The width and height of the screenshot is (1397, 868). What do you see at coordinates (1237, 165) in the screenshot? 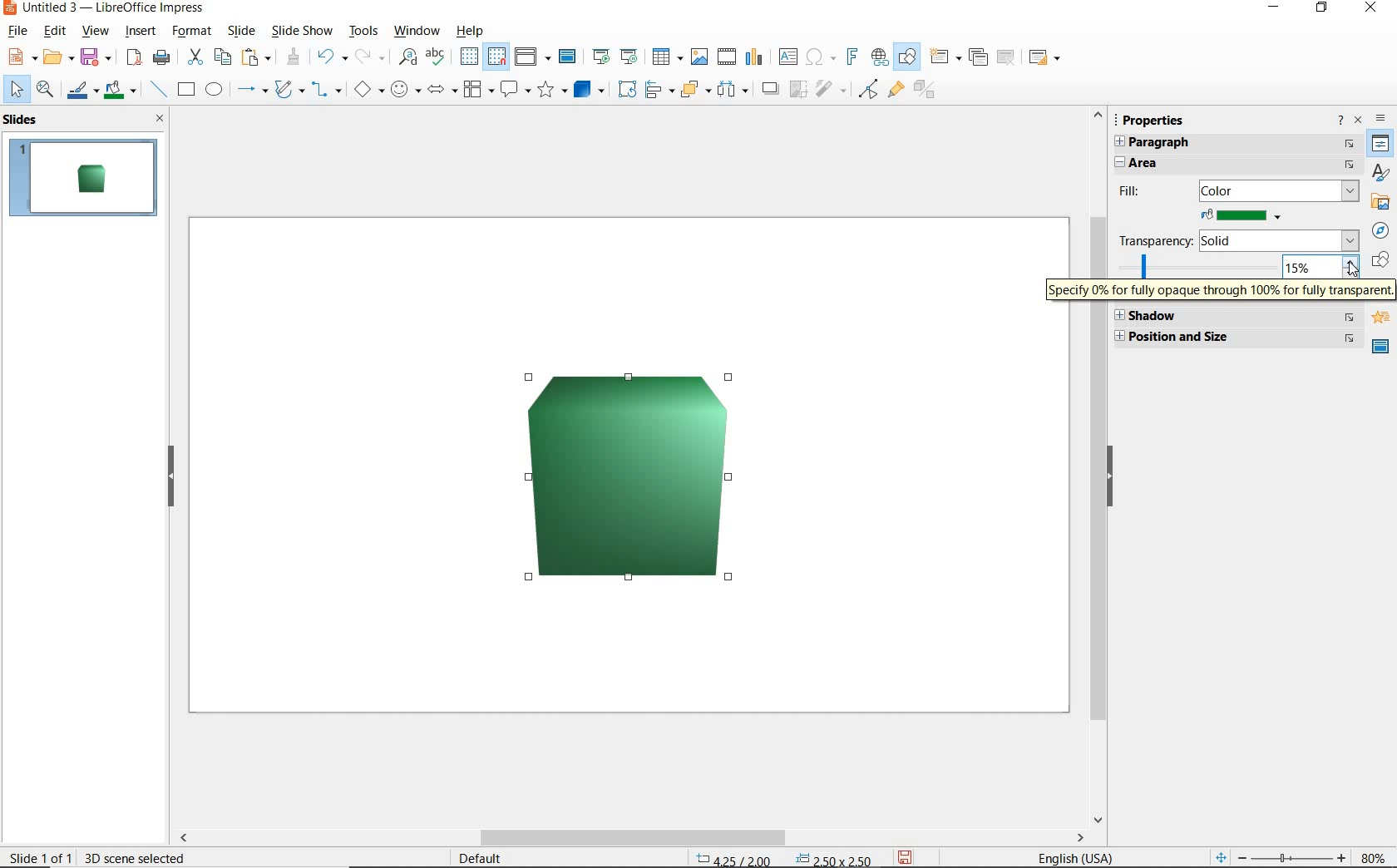
I see `AREA` at bounding box center [1237, 165].